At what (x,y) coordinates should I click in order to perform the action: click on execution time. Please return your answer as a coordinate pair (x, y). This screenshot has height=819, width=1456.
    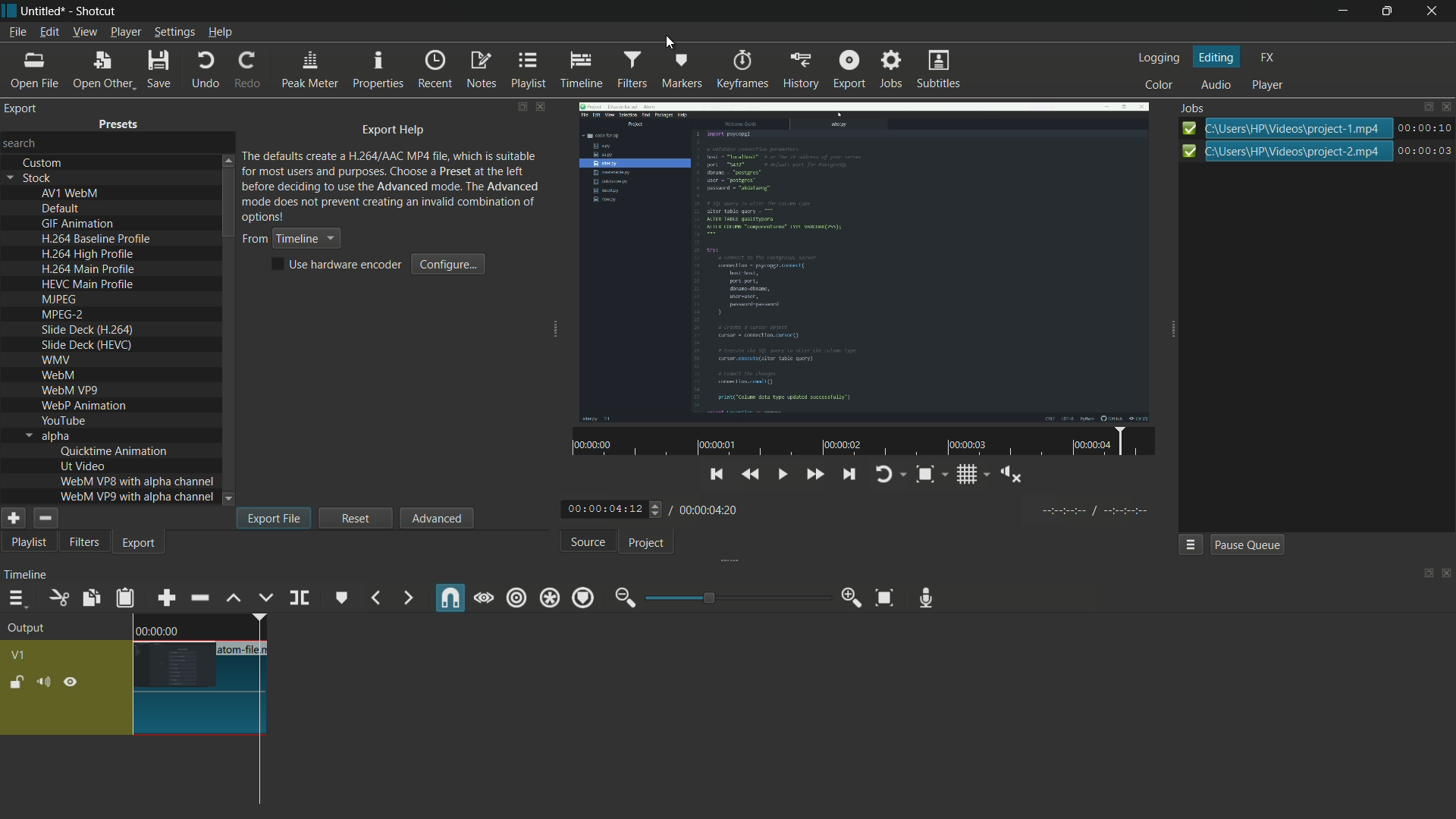
    Looking at the image, I should click on (1426, 127).